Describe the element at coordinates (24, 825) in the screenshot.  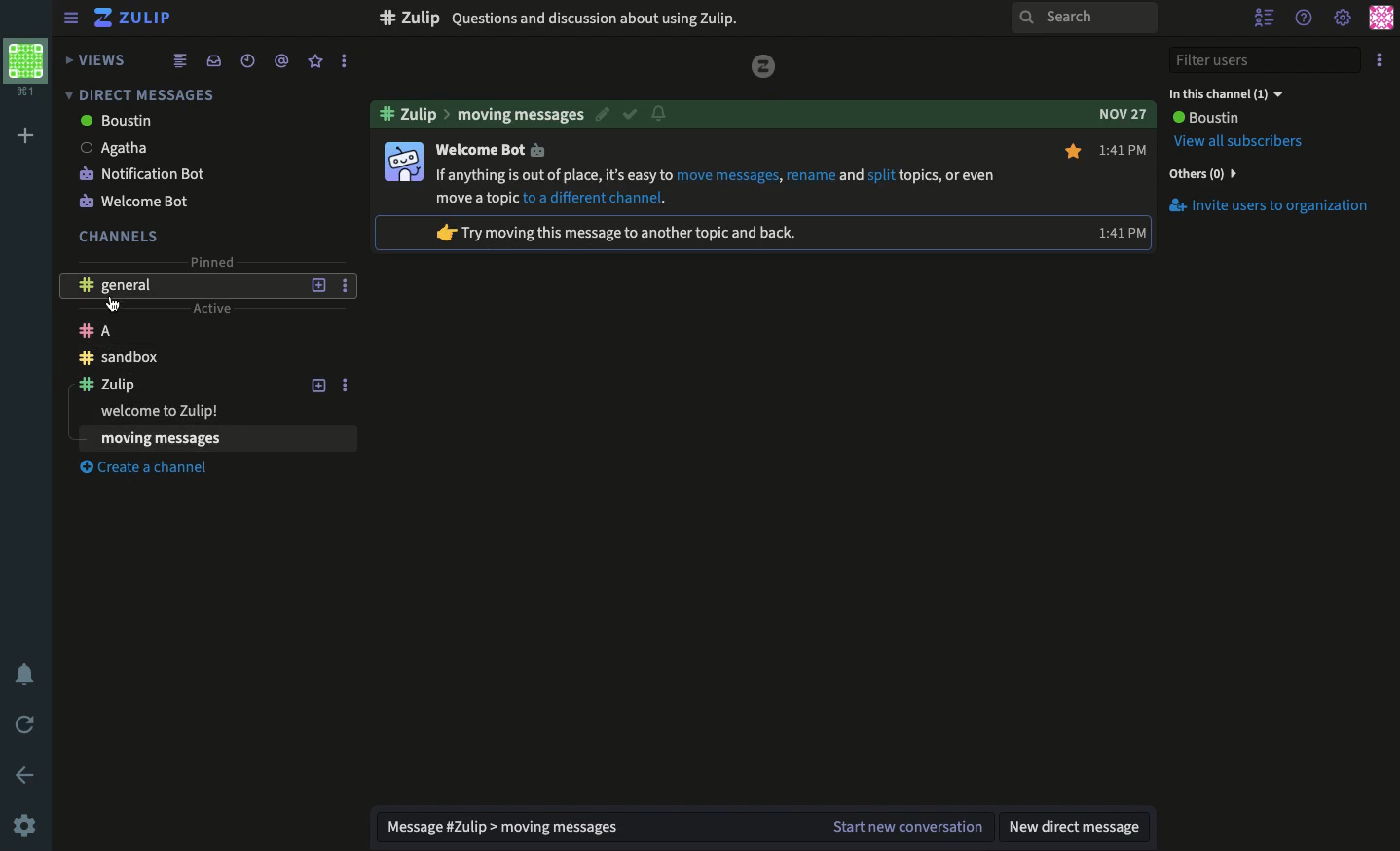
I see `Settings` at that location.